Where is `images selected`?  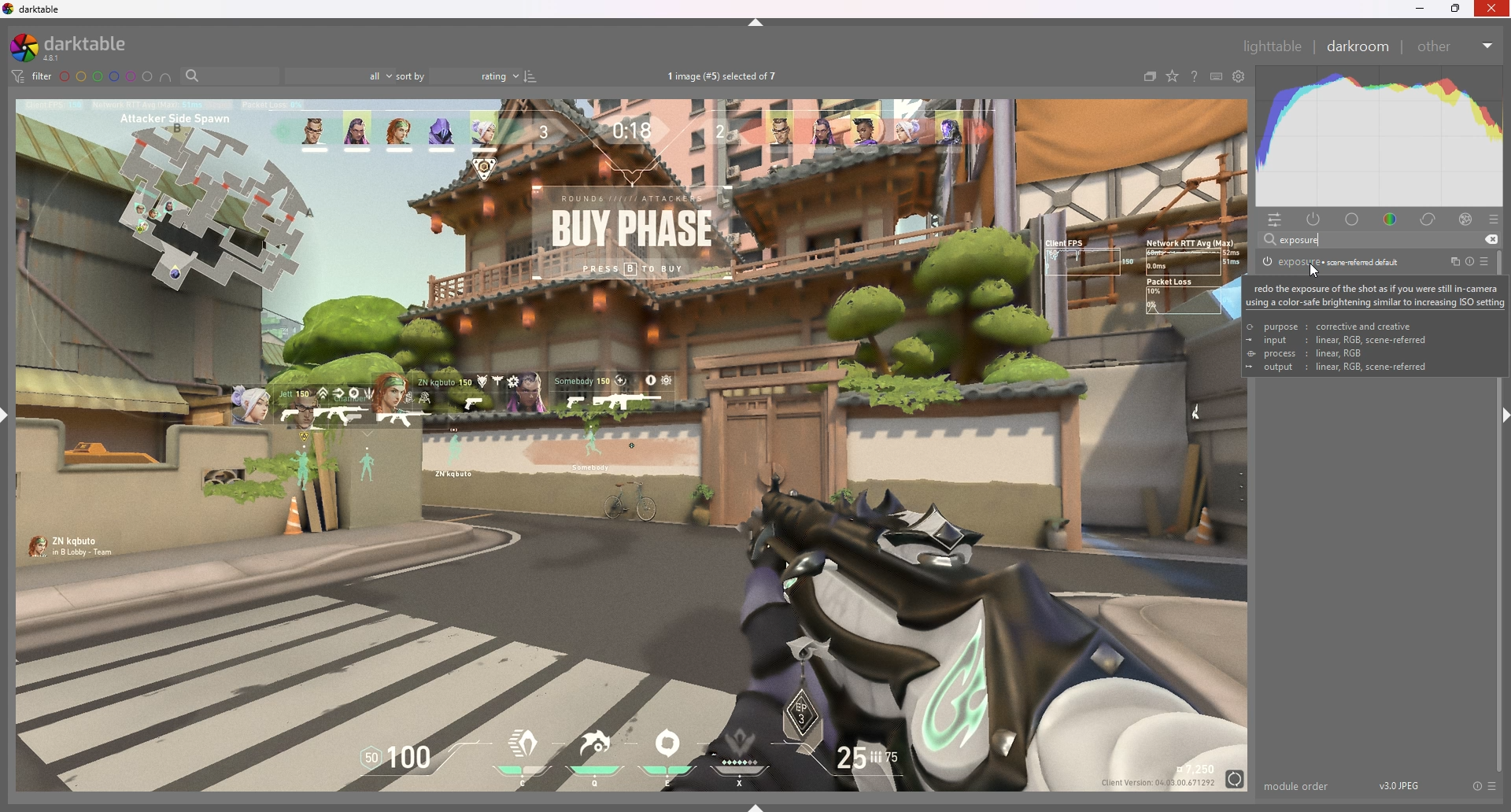
images selected is located at coordinates (724, 77).